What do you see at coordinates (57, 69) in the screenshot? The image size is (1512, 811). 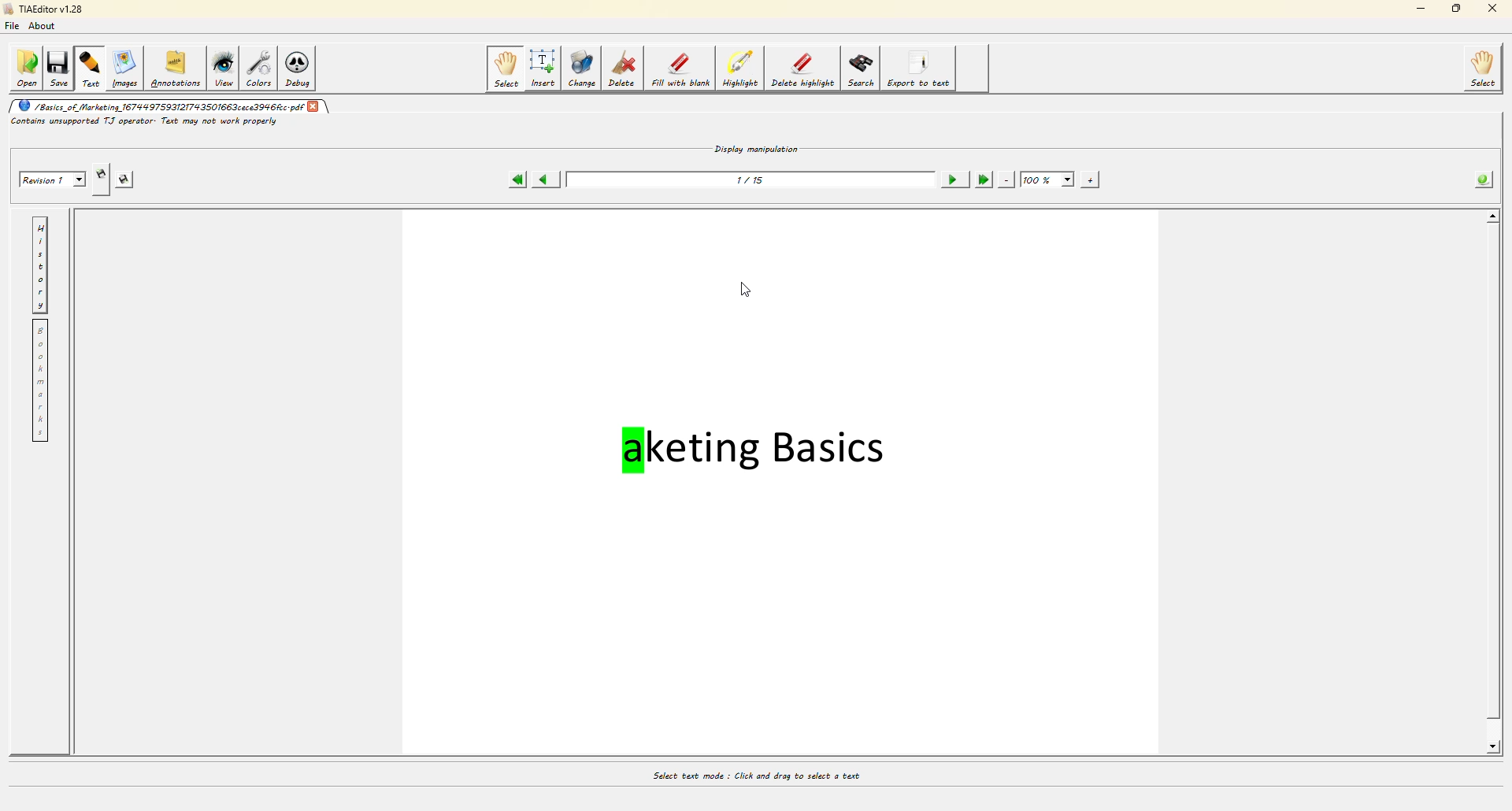 I see `save` at bounding box center [57, 69].